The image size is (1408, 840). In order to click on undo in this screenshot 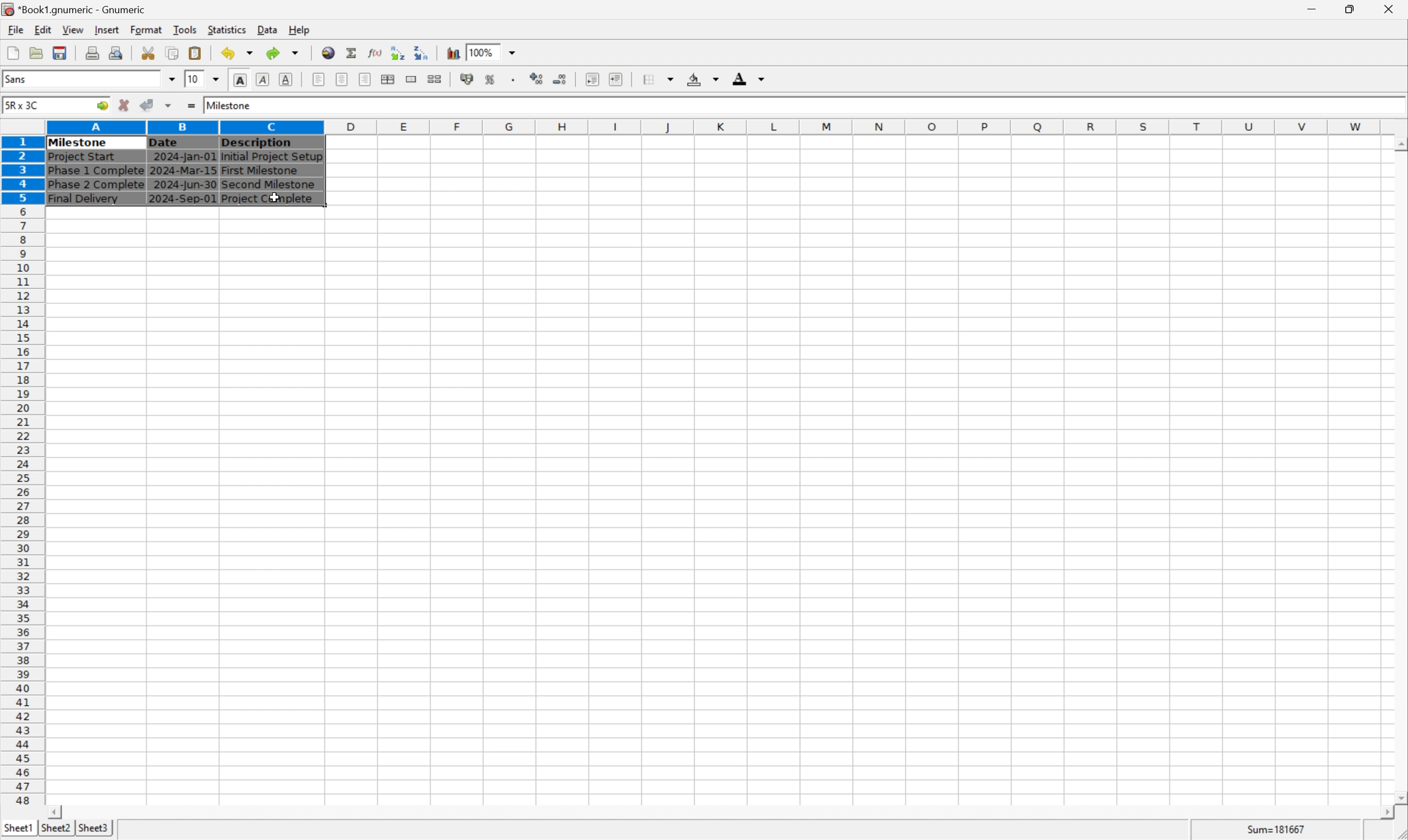, I will do `click(240, 54)`.